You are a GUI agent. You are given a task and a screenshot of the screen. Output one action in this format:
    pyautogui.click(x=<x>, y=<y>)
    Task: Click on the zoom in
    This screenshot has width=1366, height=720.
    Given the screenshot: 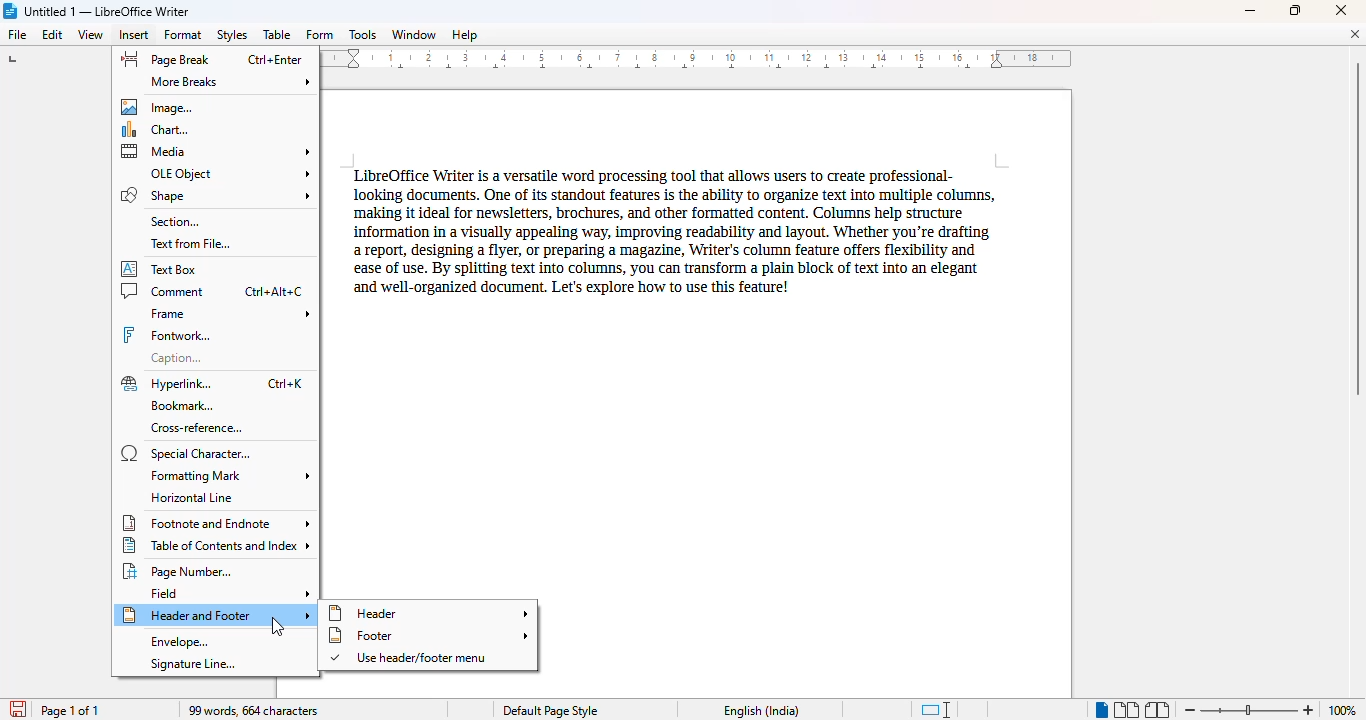 What is the action you would take?
    pyautogui.click(x=1308, y=710)
    